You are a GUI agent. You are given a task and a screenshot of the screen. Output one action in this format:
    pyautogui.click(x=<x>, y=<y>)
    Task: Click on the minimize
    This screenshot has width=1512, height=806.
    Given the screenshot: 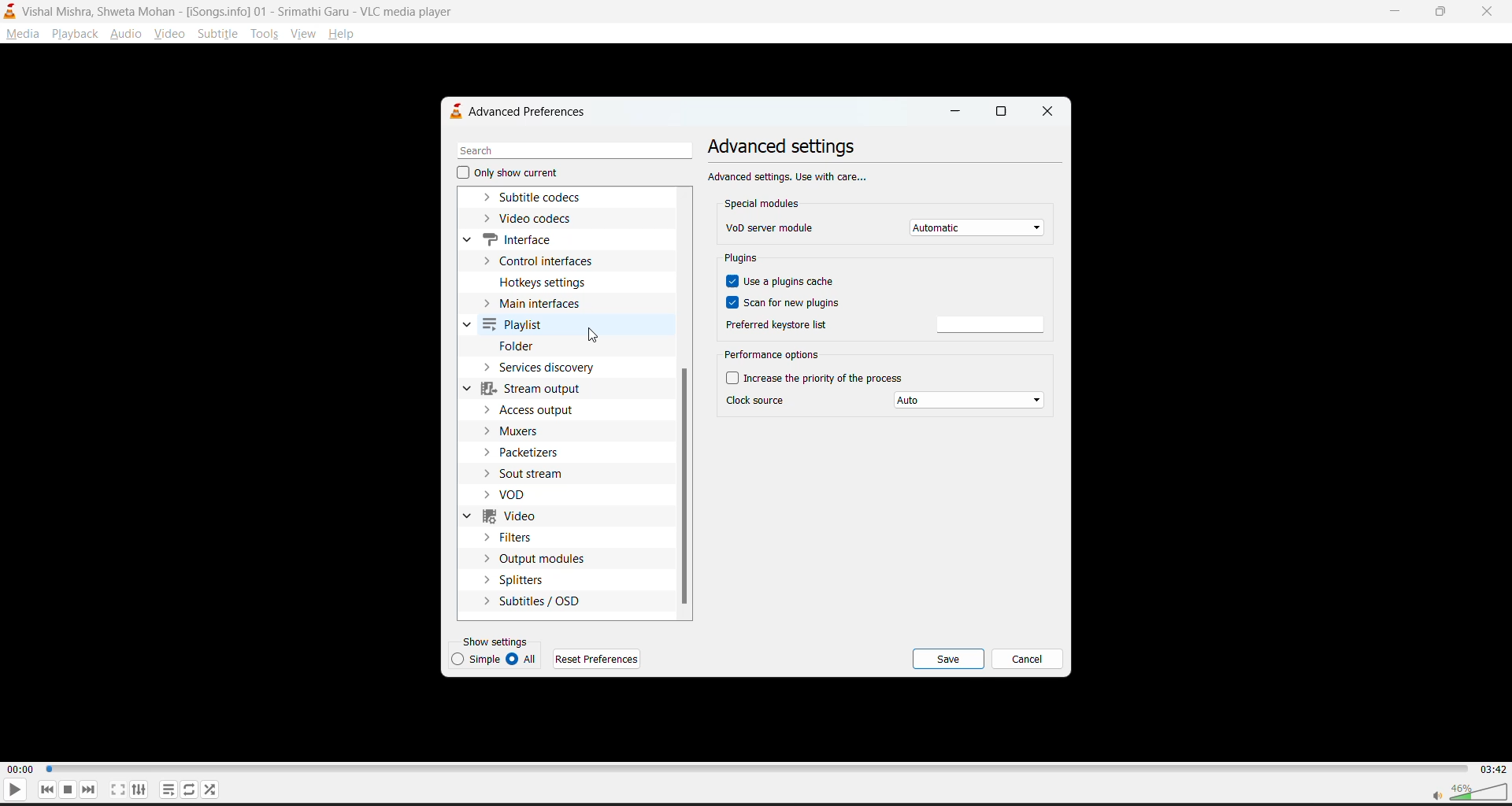 What is the action you would take?
    pyautogui.click(x=952, y=110)
    